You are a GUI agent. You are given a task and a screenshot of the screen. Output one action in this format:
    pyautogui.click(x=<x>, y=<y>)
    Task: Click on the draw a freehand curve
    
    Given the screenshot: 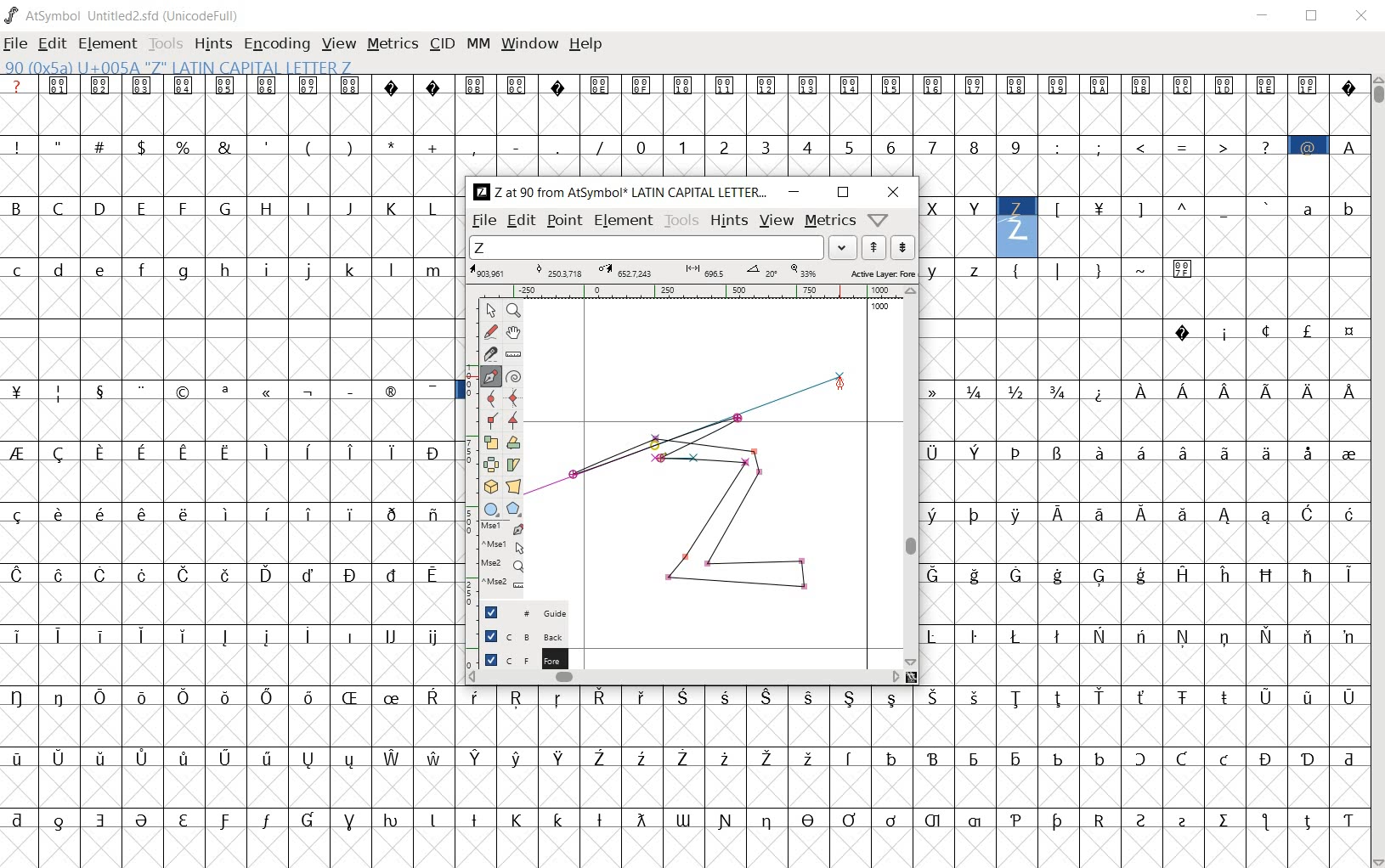 What is the action you would take?
    pyautogui.click(x=490, y=332)
    